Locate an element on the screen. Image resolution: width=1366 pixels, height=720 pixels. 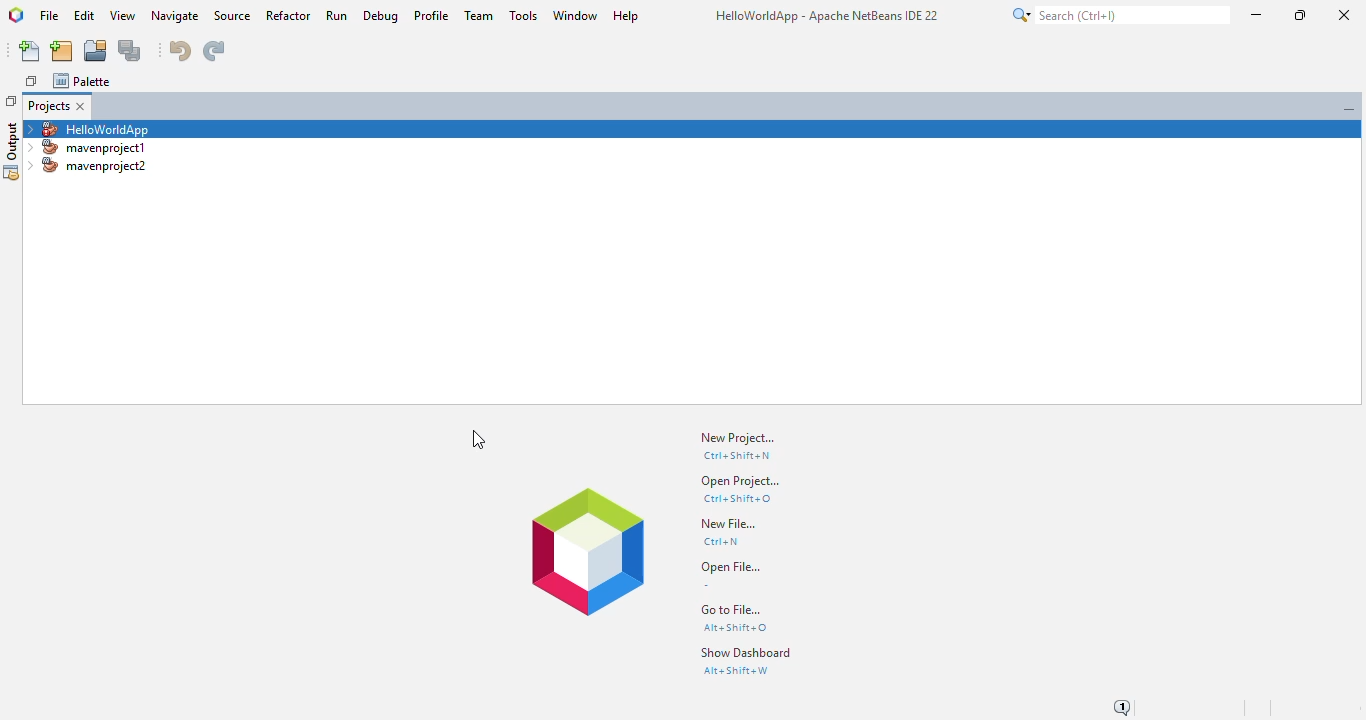
help is located at coordinates (626, 16).